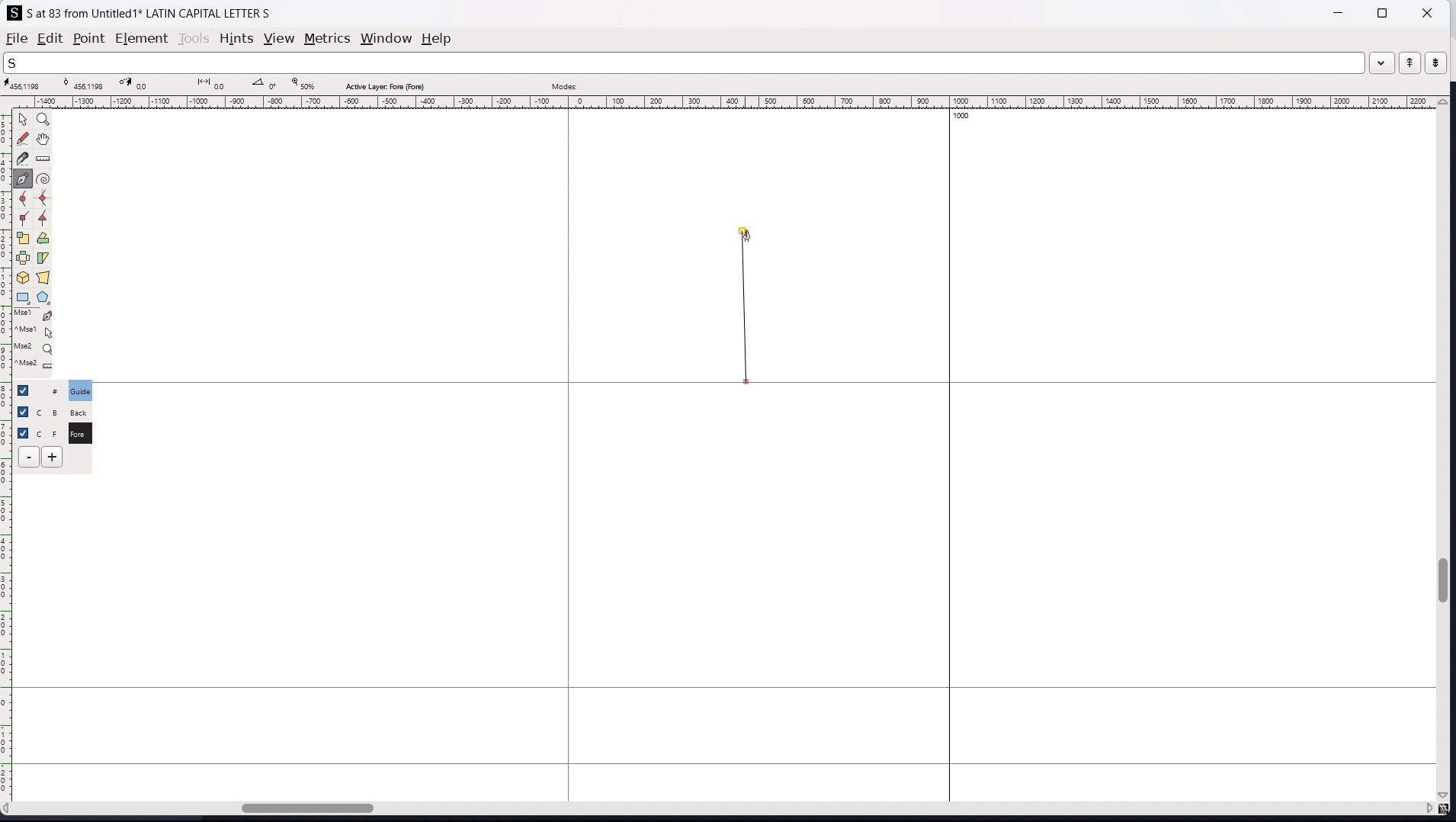 The image size is (1456, 822). What do you see at coordinates (384, 86) in the screenshot?
I see `active layer` at bounding box center [384, 86].